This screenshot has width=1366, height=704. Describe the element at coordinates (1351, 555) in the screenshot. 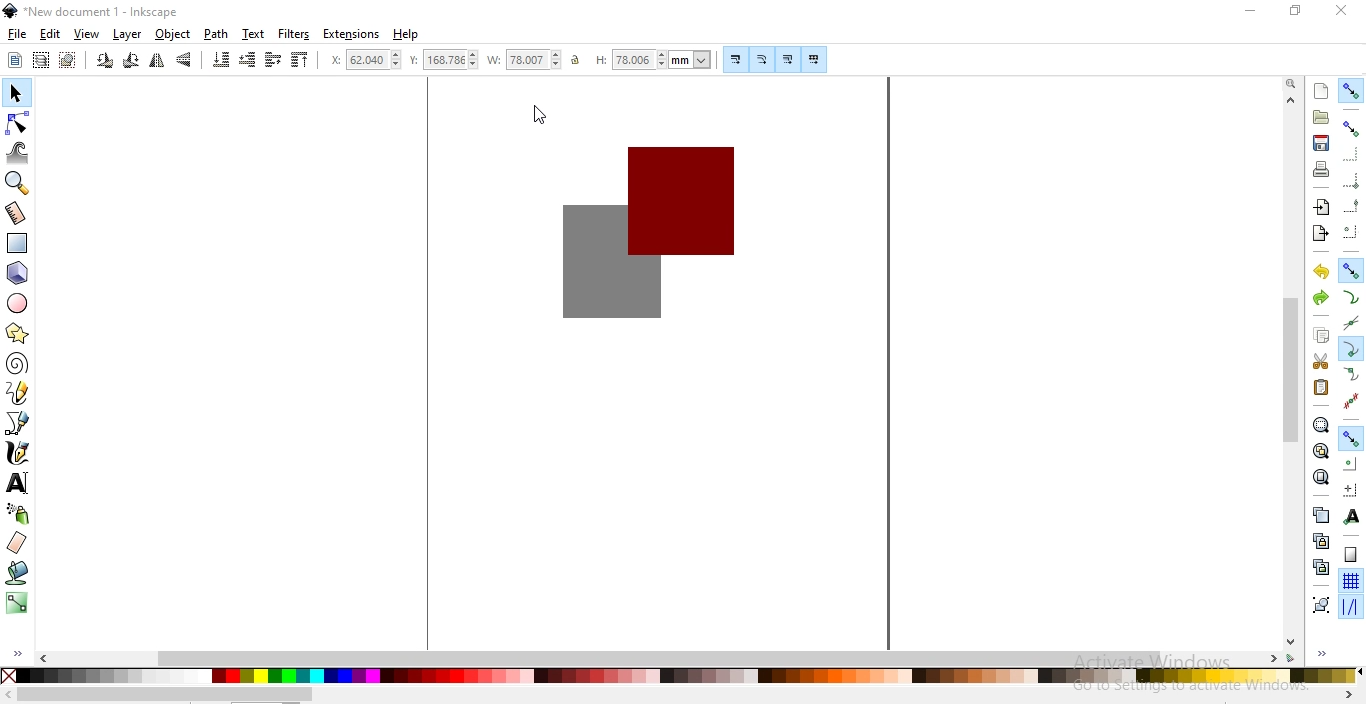

I see `snap to page border` at that location.